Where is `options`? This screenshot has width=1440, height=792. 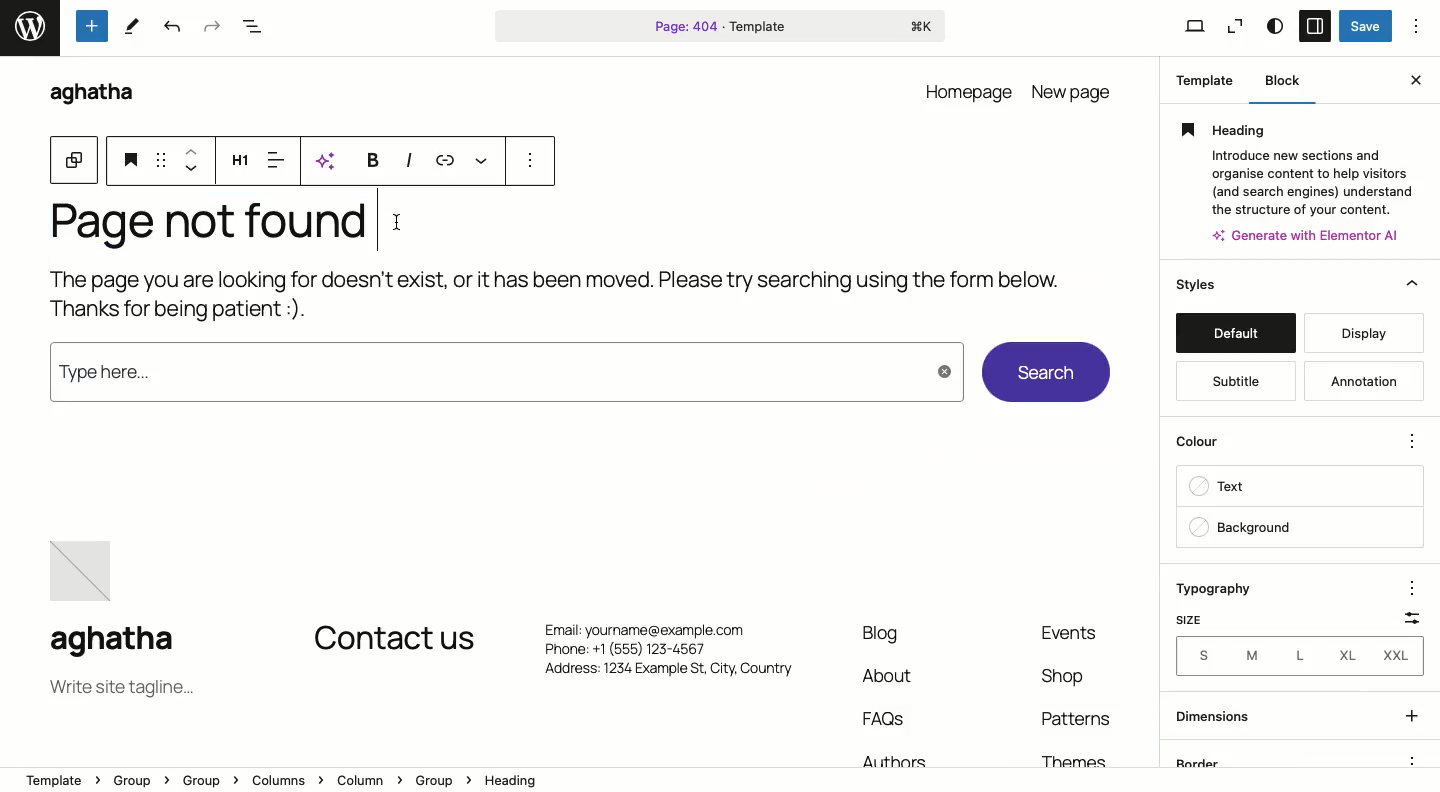 options is located at coordinates (1412, 760).